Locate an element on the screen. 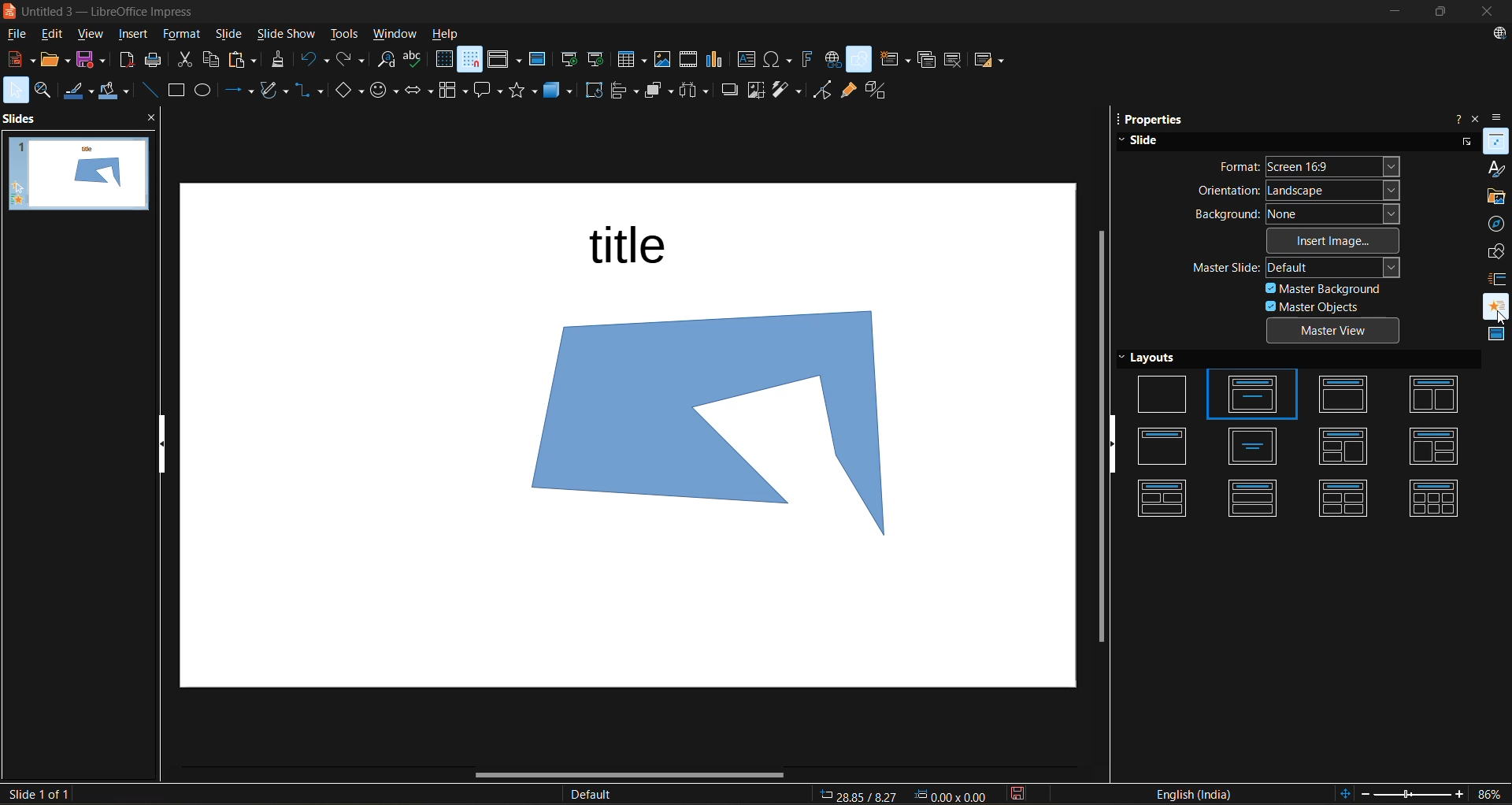  shapes and polygons is located at coordinates (272, 89).